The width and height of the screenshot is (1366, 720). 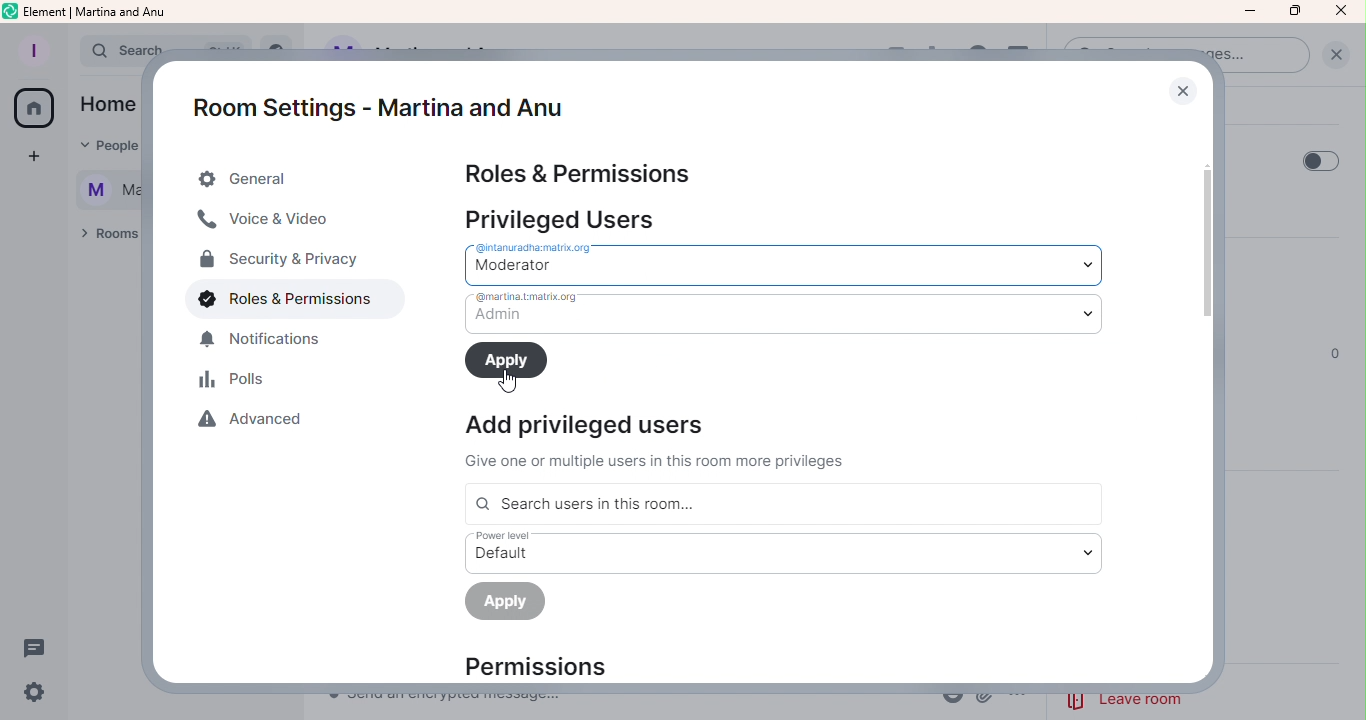 What do you see at coordinates (669, 441) in the screenshot?
I see `Add privileged users` at bounding box center [669, 441].